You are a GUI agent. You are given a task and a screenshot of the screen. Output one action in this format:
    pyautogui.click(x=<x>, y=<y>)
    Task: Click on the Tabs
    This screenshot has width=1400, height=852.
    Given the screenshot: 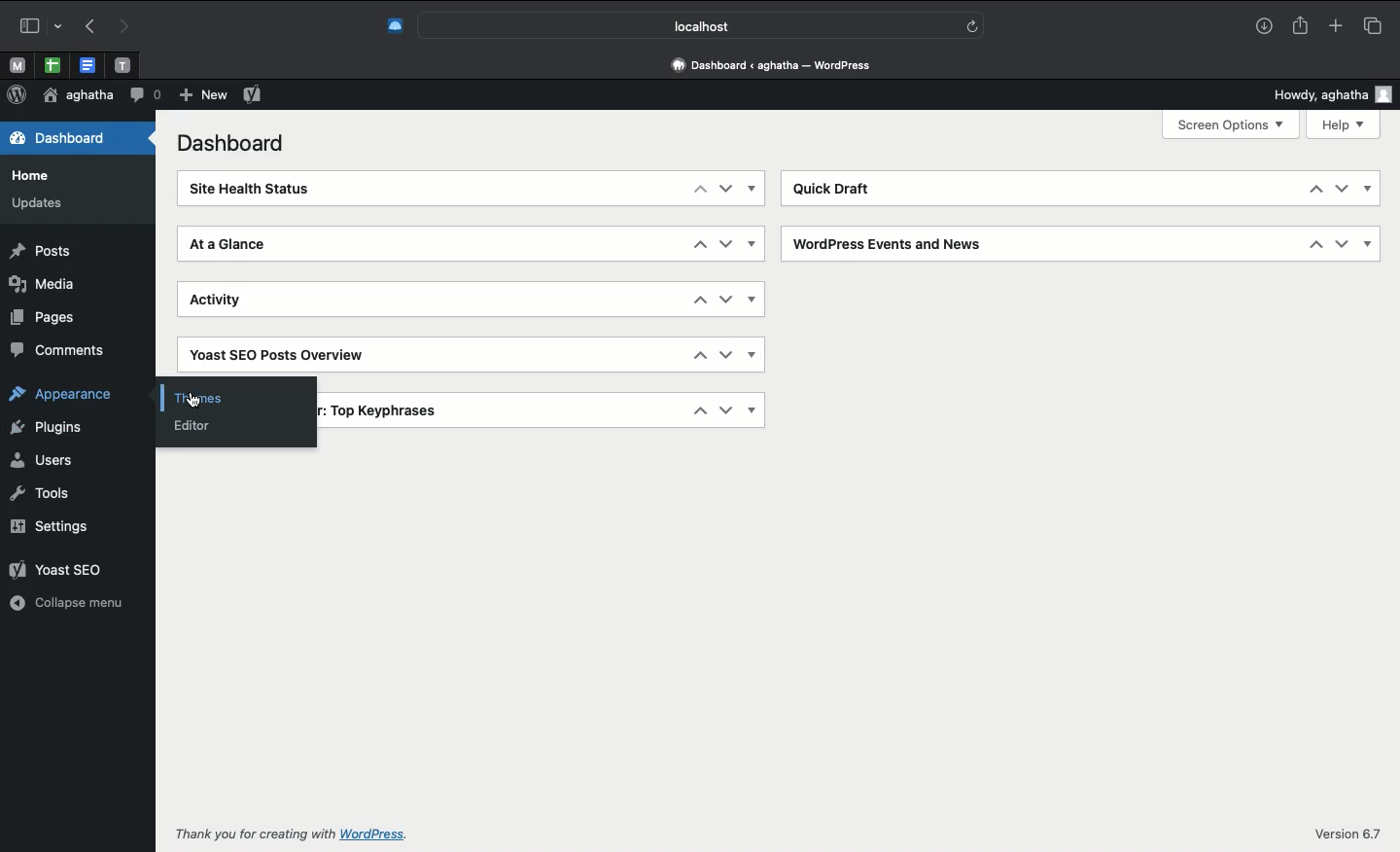 What is the action you would take?
    pyautogui.click(x=1372, y=25)
    